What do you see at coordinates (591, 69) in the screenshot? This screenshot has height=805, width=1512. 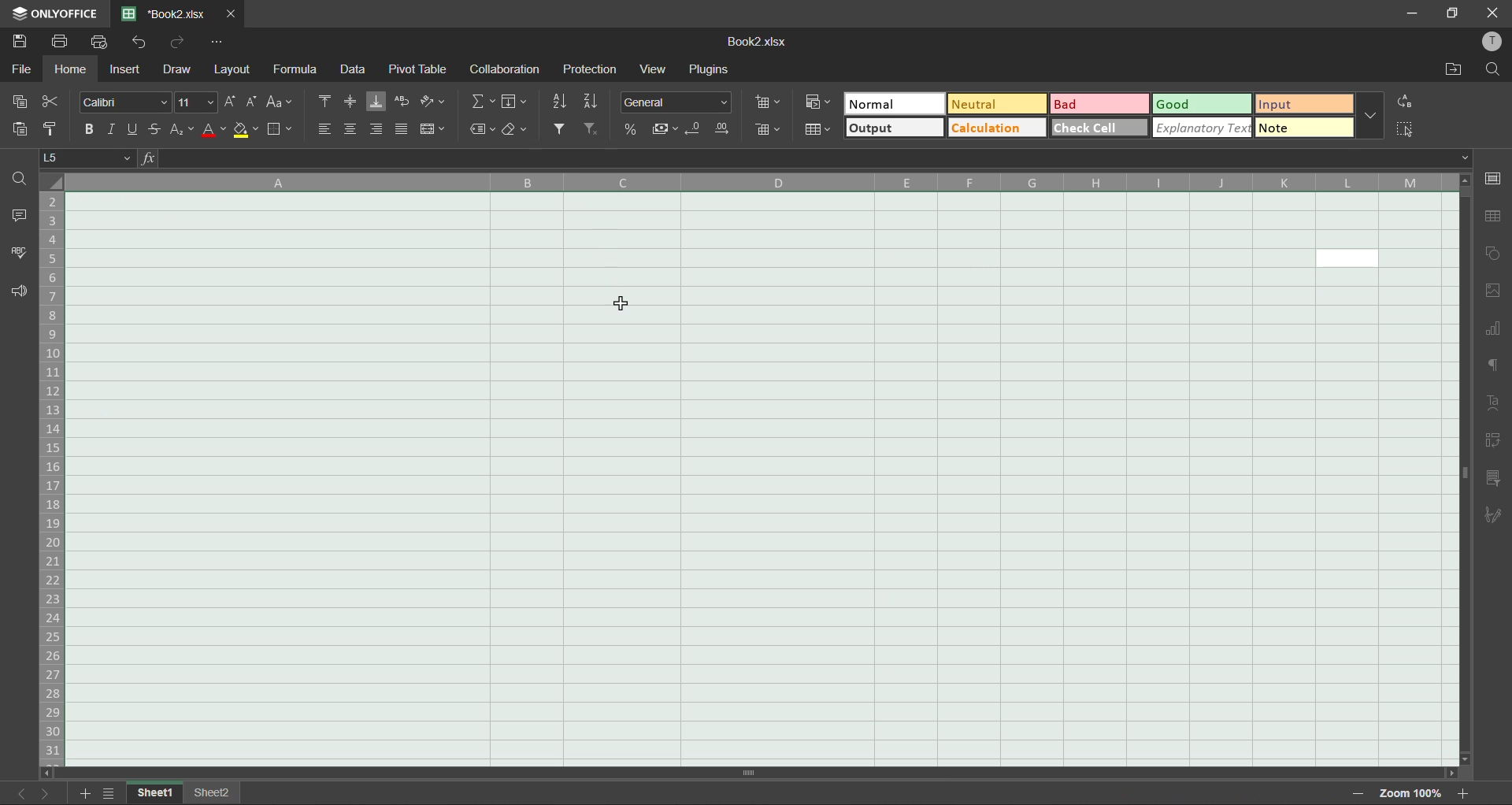 I see `protection` at bounding box center [591, 69].